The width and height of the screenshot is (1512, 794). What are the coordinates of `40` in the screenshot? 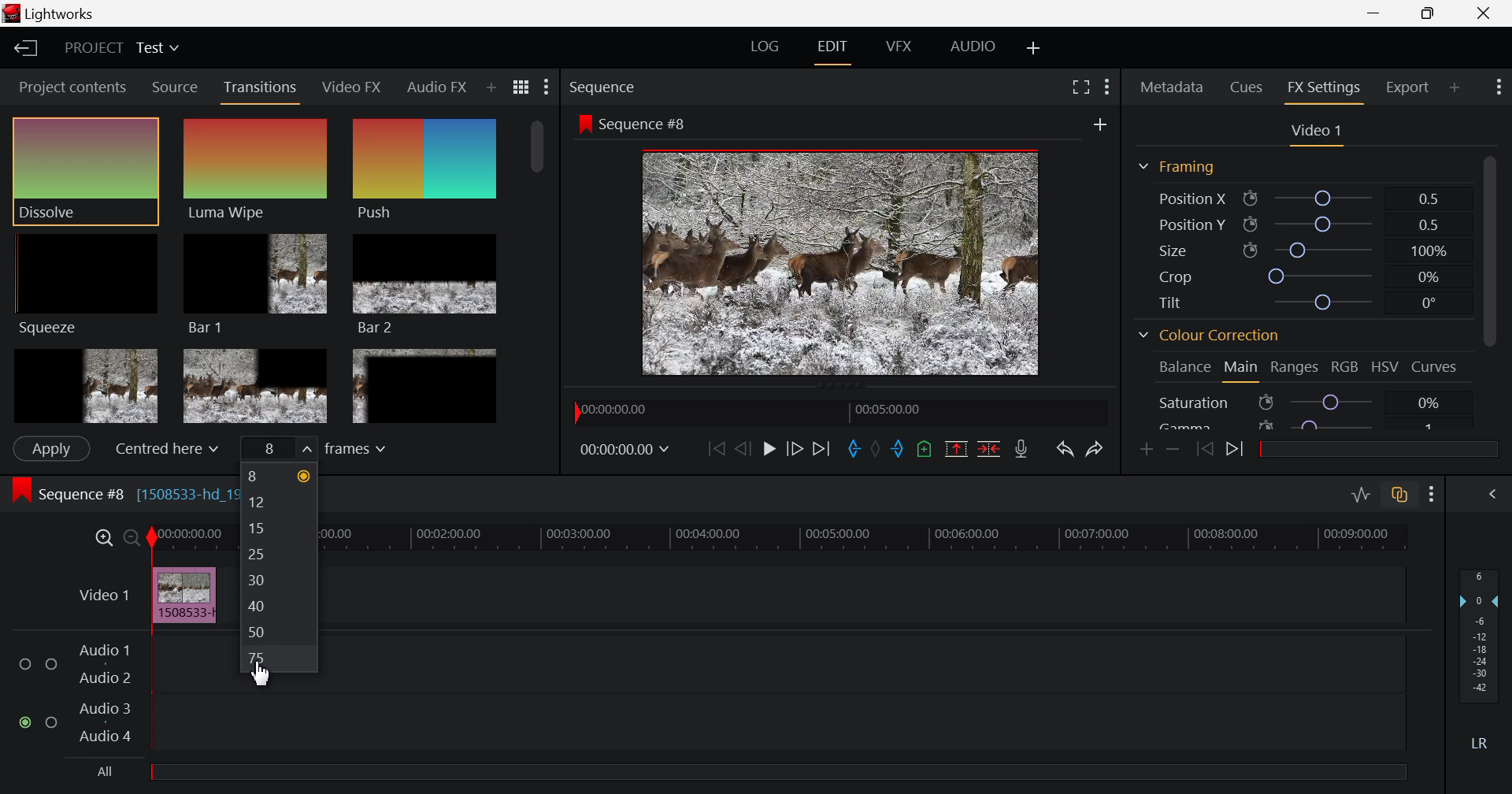 It's located at (283, 607).